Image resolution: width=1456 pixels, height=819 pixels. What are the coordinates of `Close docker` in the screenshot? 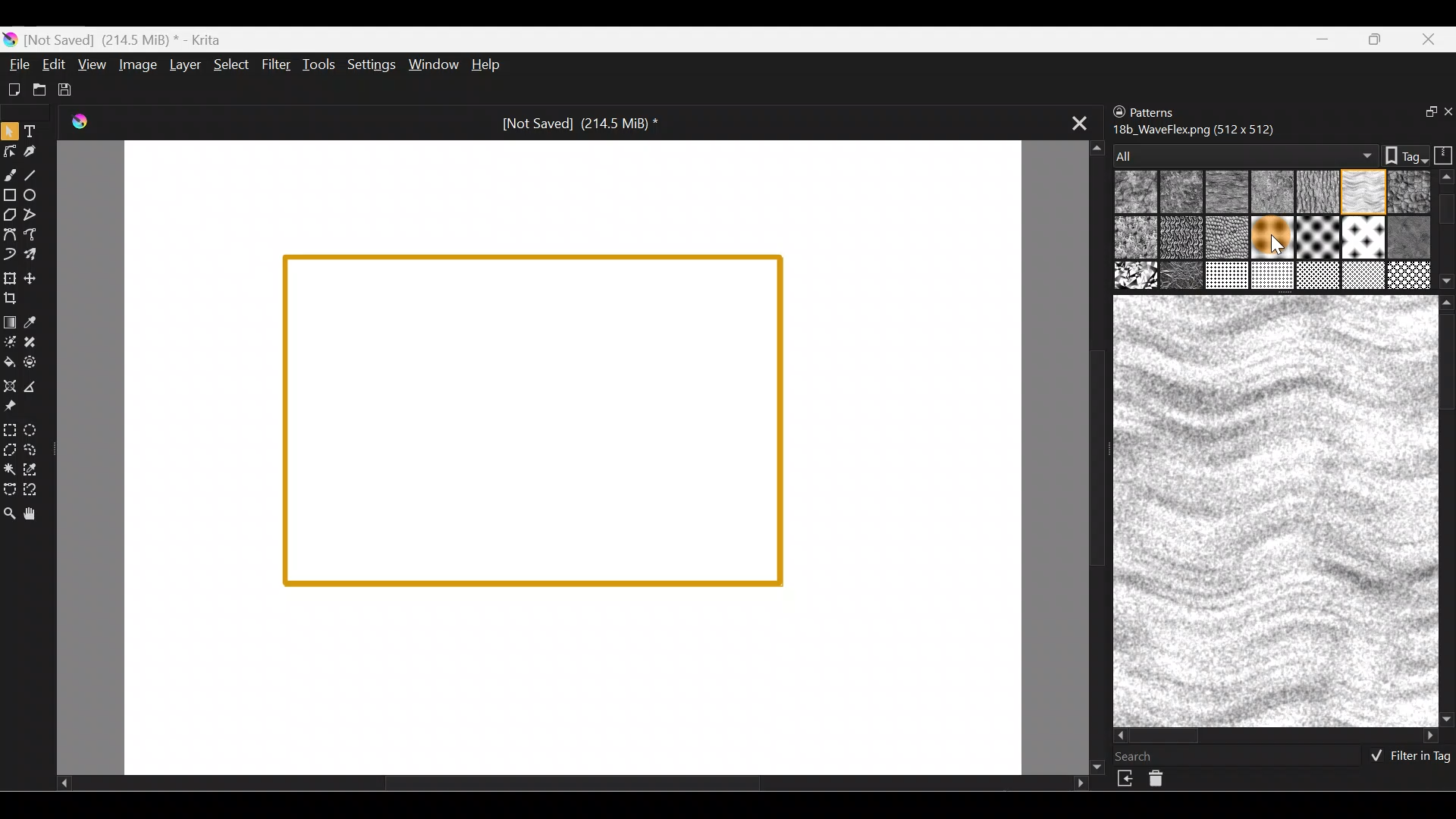 It's located at (1446, 113).